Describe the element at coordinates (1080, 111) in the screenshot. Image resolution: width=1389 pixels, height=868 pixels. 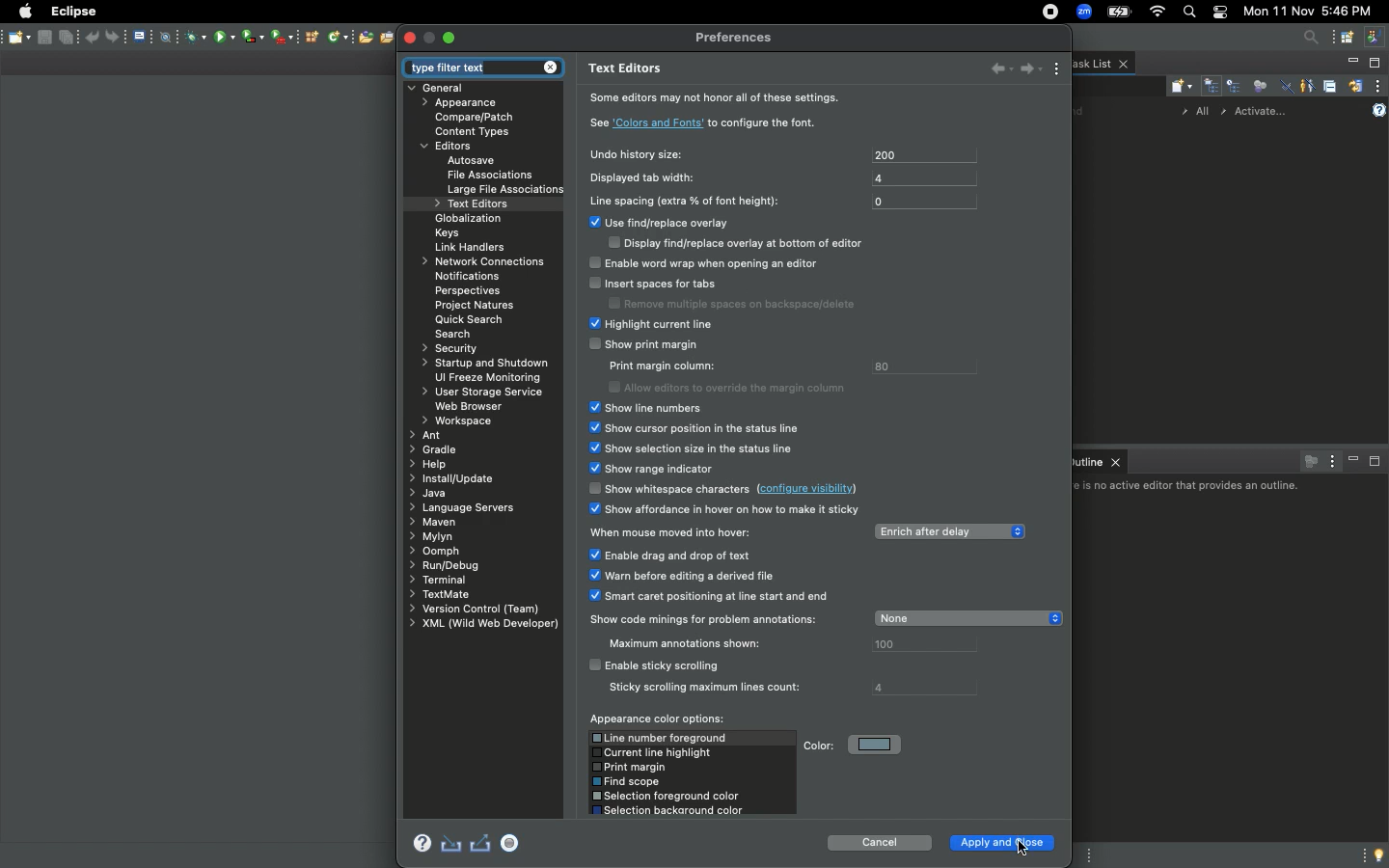
I see `Find` at that location.